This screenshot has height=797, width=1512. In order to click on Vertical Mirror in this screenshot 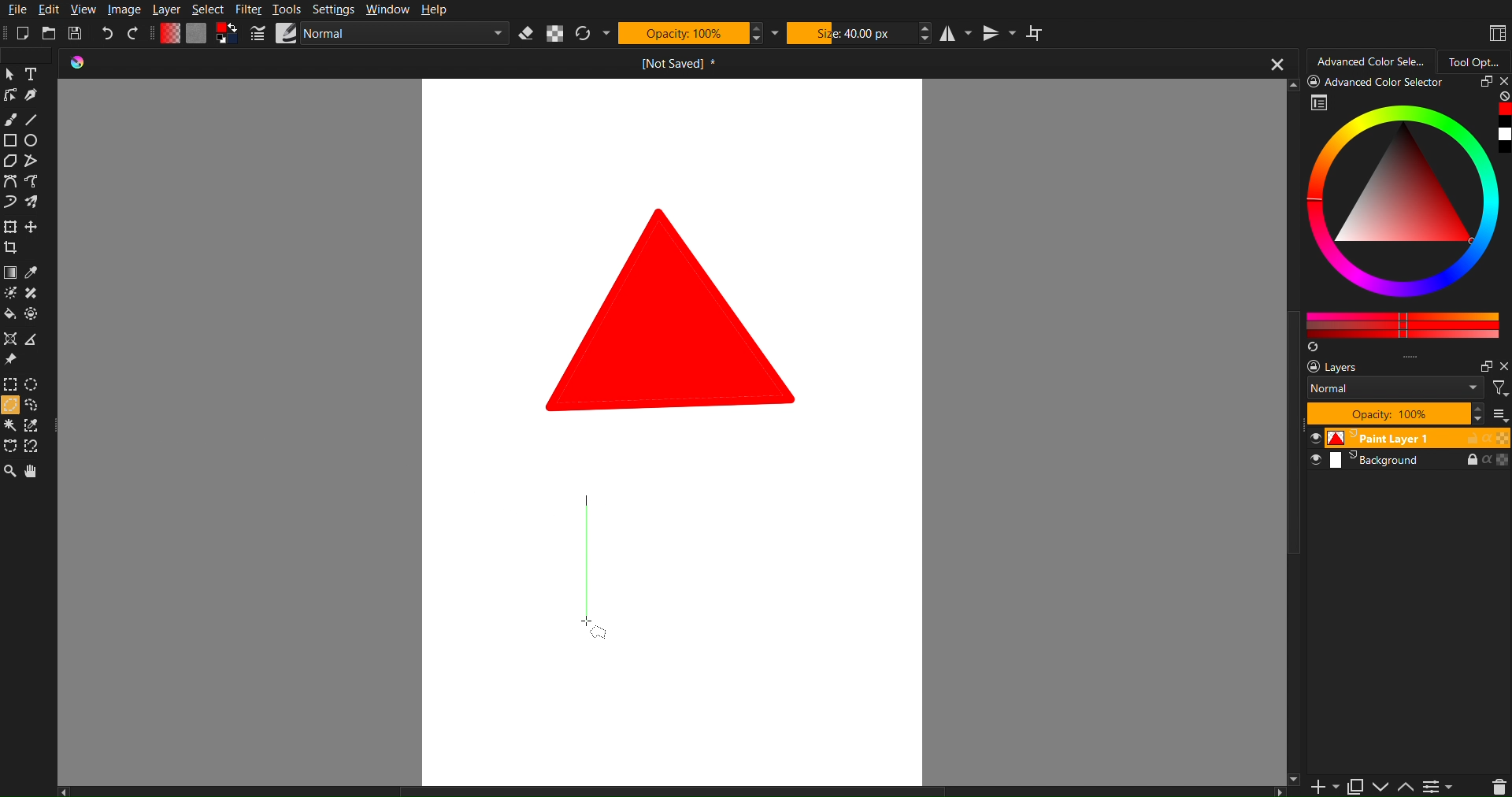, I will do `click(996, 34)`.